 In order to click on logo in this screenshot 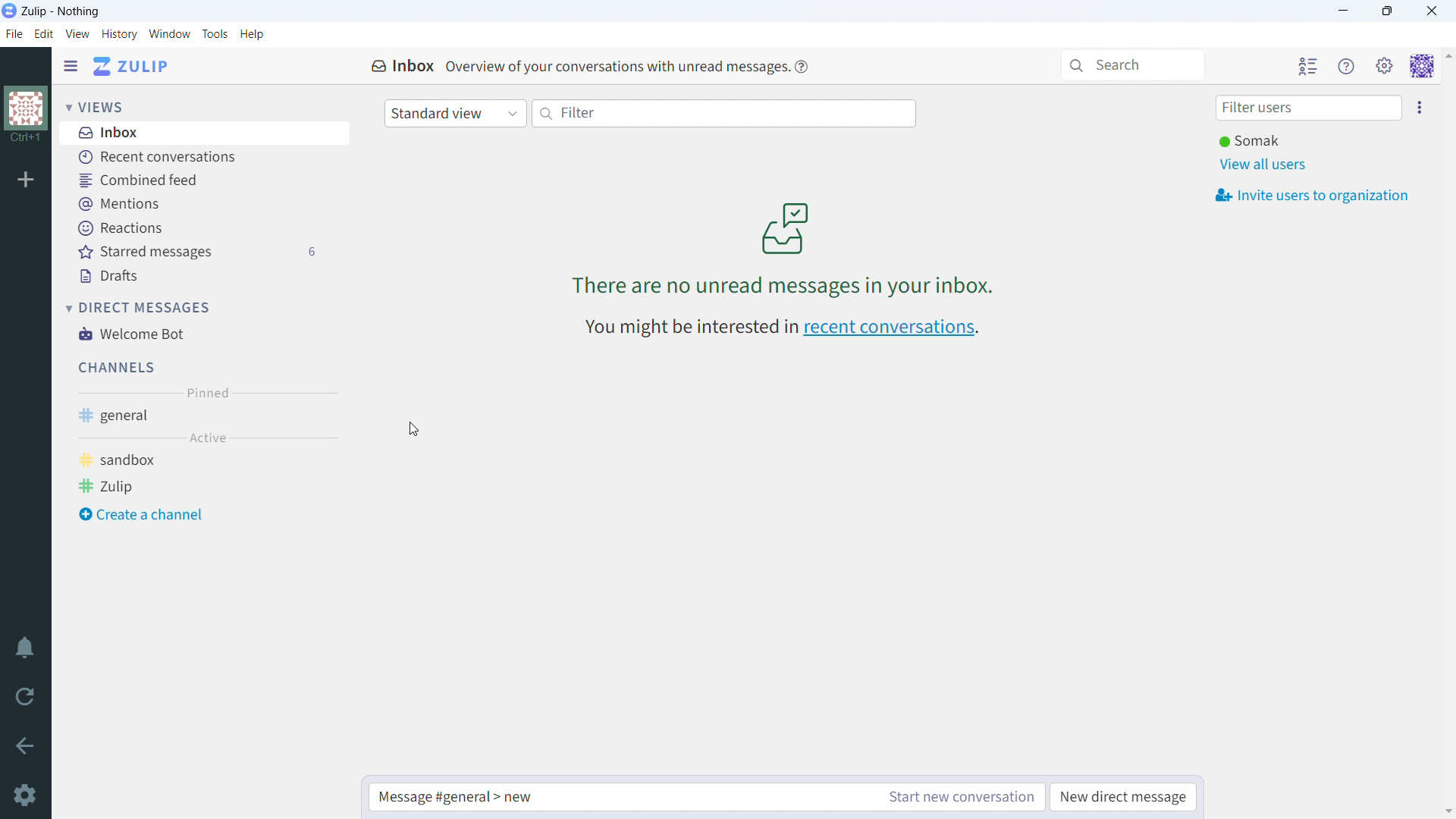, I will do `click(10, 11)`.